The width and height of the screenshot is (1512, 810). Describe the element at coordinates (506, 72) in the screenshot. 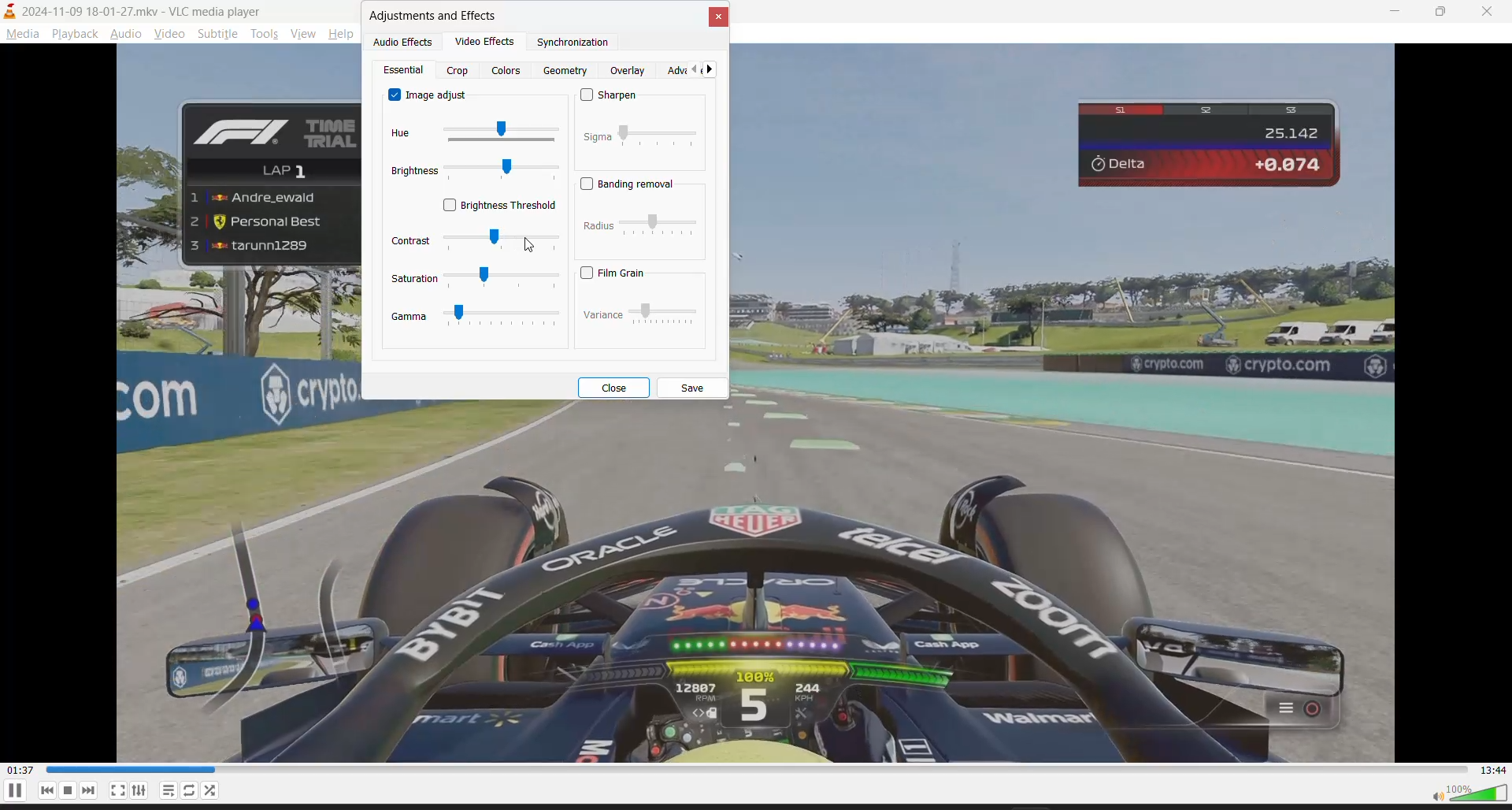

I see `colors` at that location.